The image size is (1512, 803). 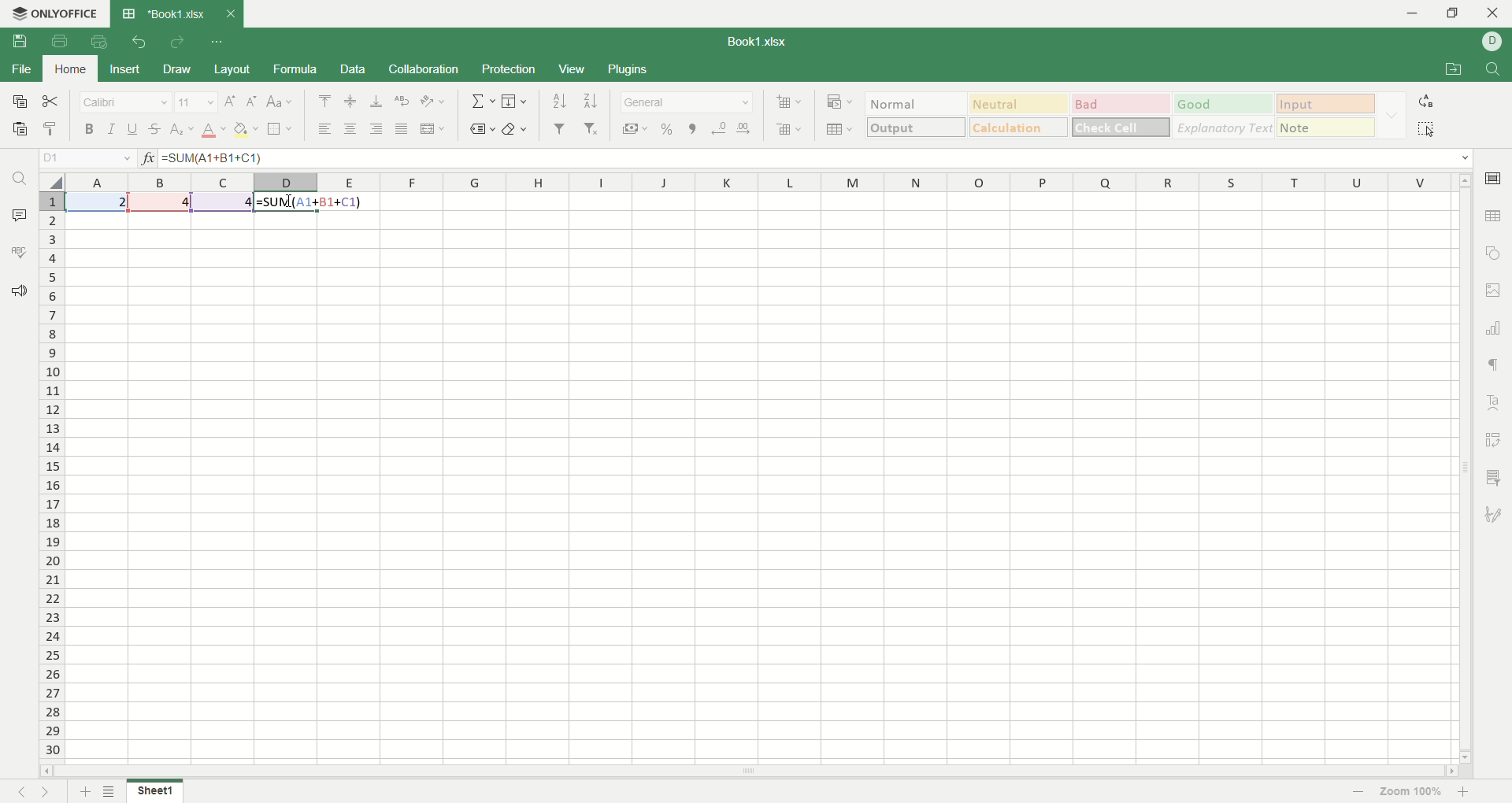 I want to click on view, so click(x=571, y=70).